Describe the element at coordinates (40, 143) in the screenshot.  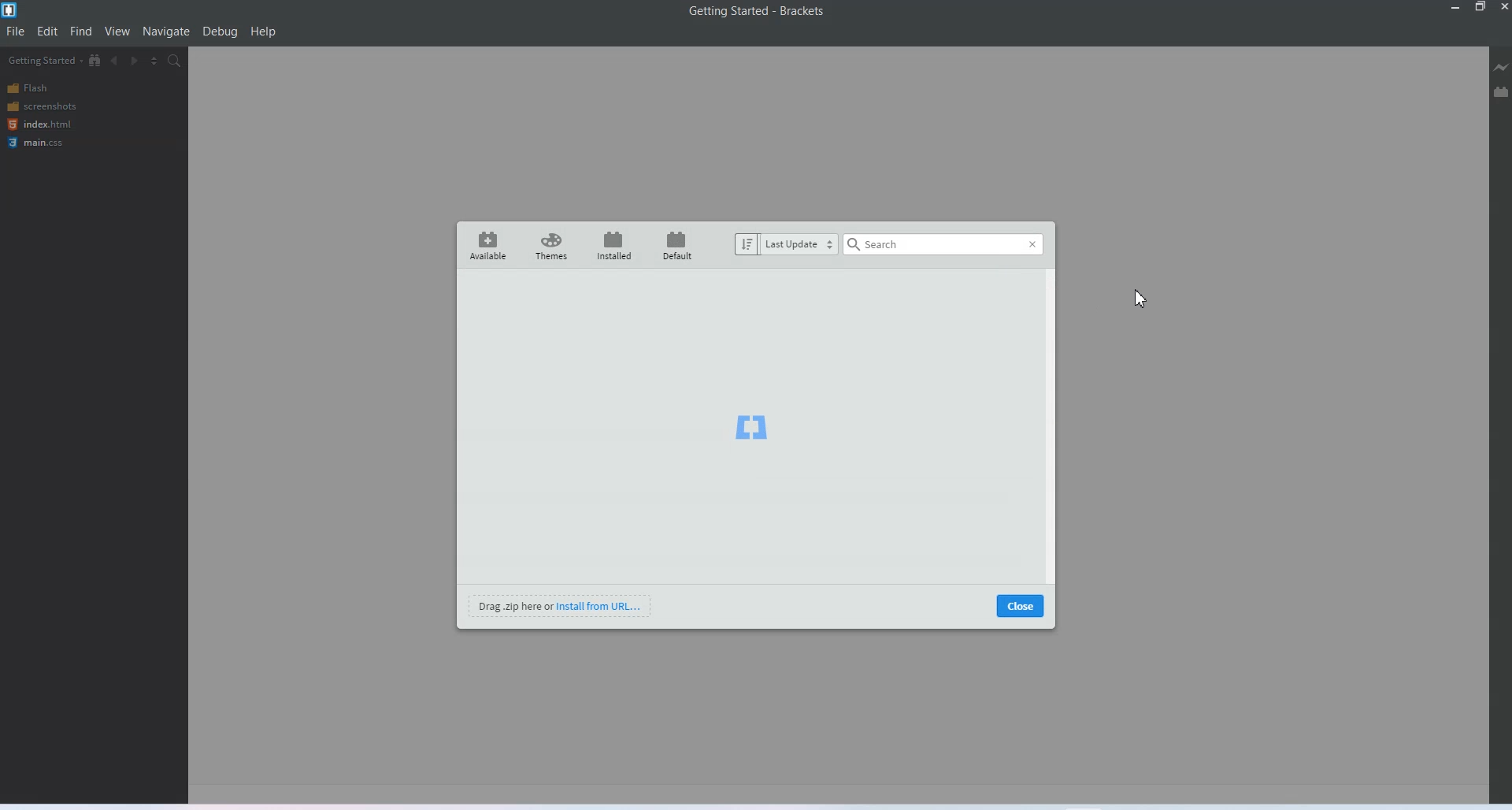
I see `main.css` at that location.